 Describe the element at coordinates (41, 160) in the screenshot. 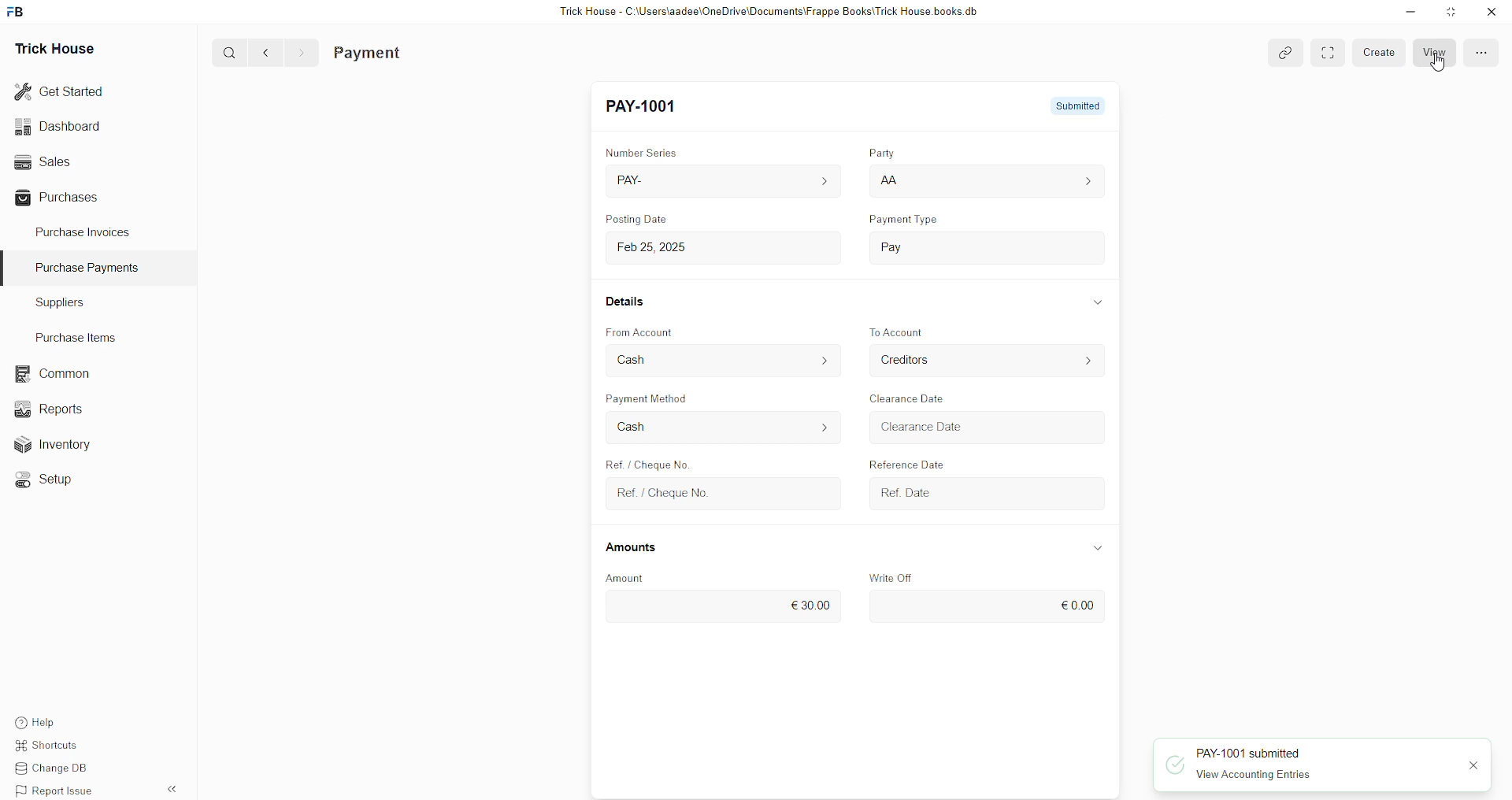

I see `Sales` at that location.